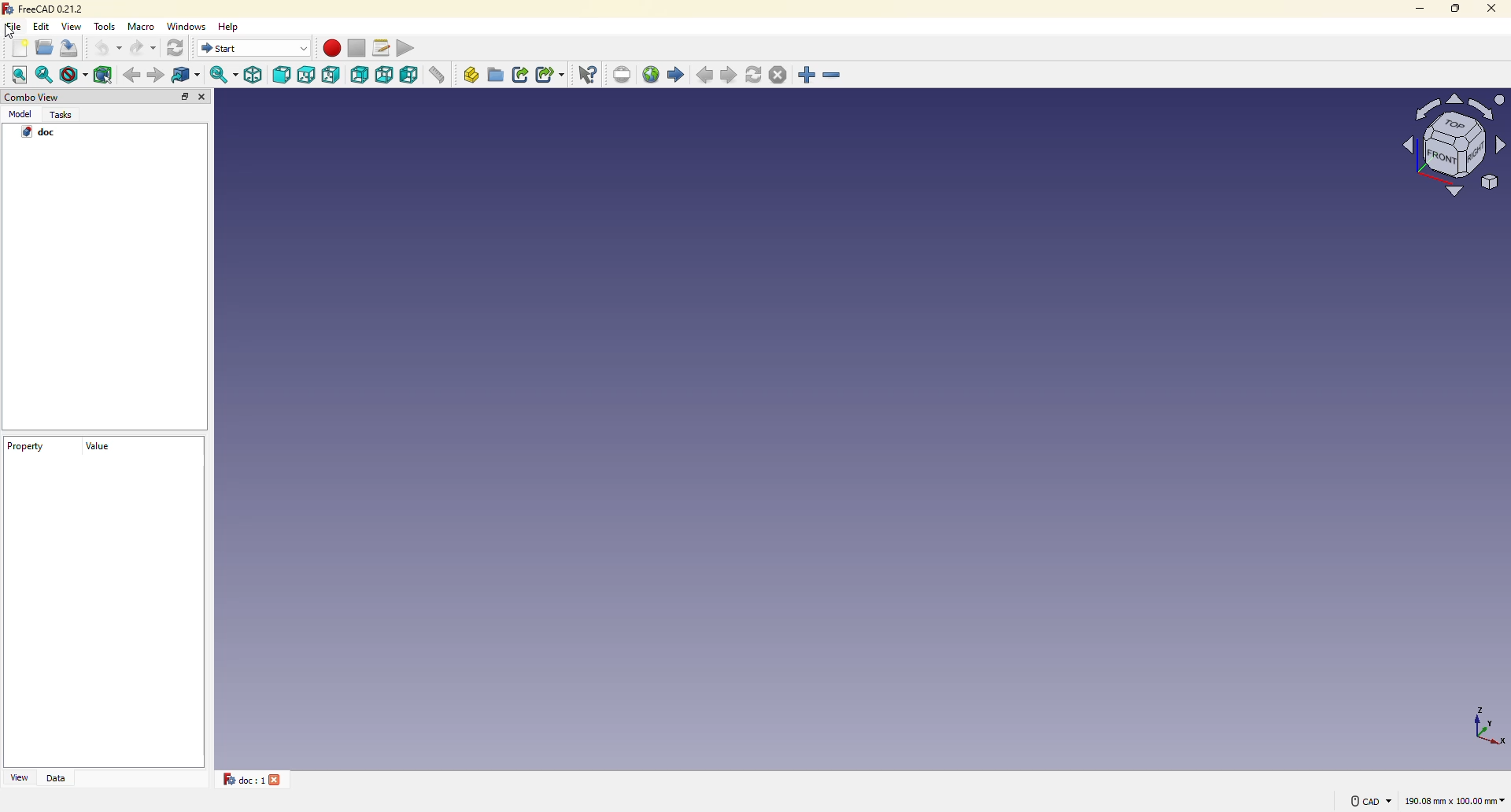  What do you see at coordinates (45, 9) in the screenshot?
I see `freecad` at bounding box center [45, 9].